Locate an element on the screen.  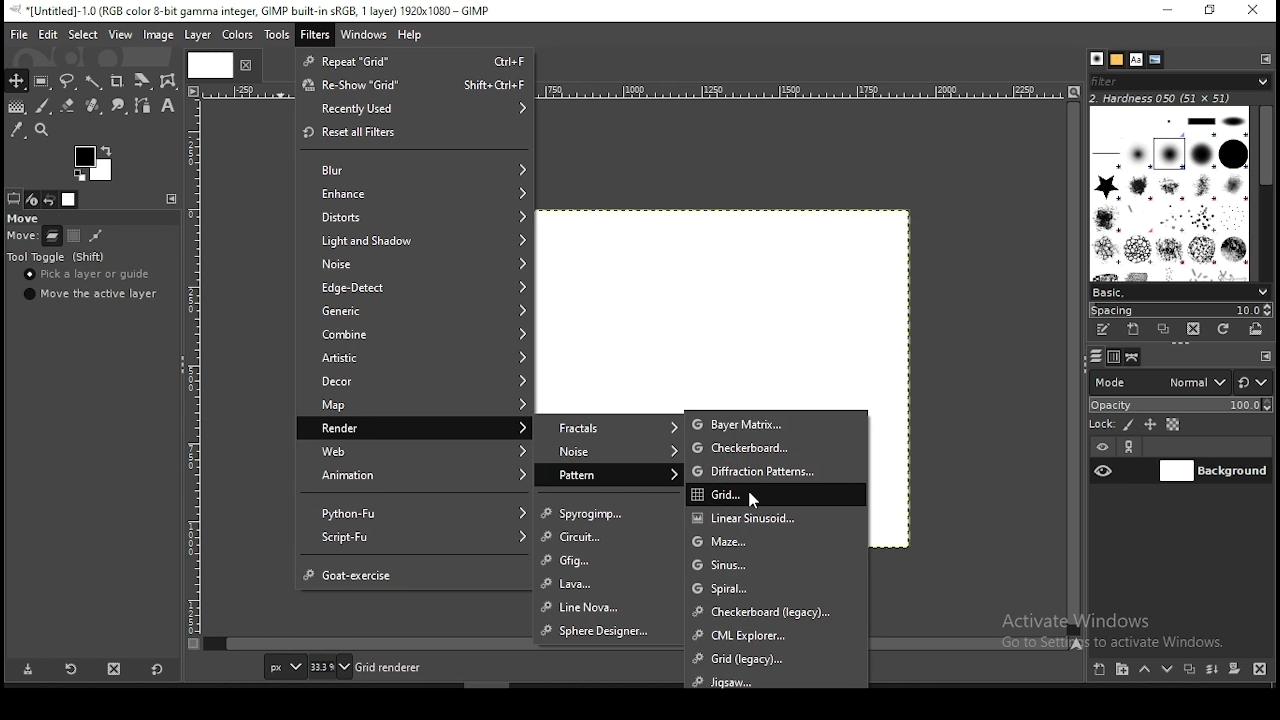
vertical scale is located at coordinates (197, 375).